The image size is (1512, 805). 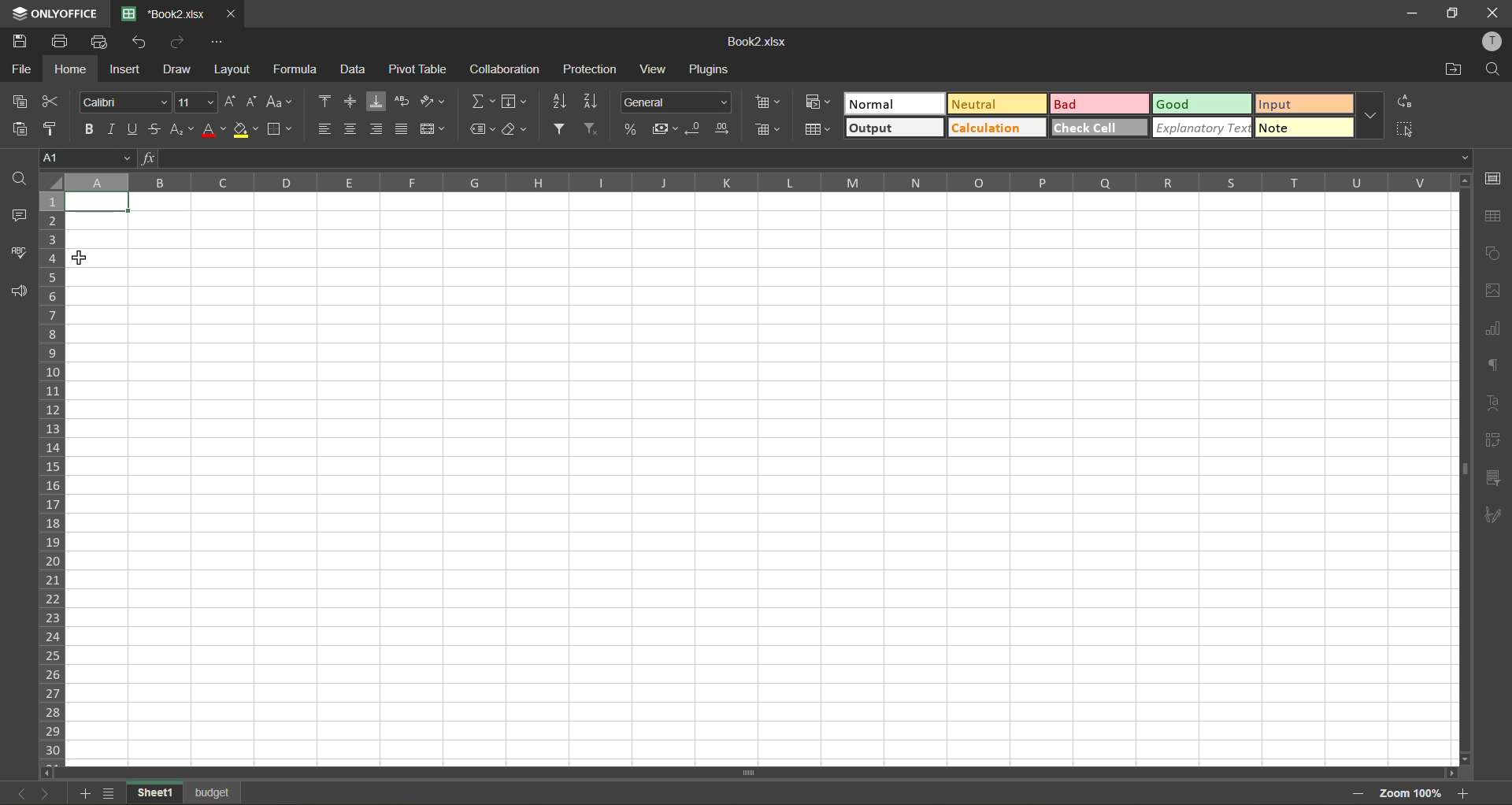 What do you see at coordinates (676, 102) in the screenshot?
I see `number format` at bounding box center [676, 102].